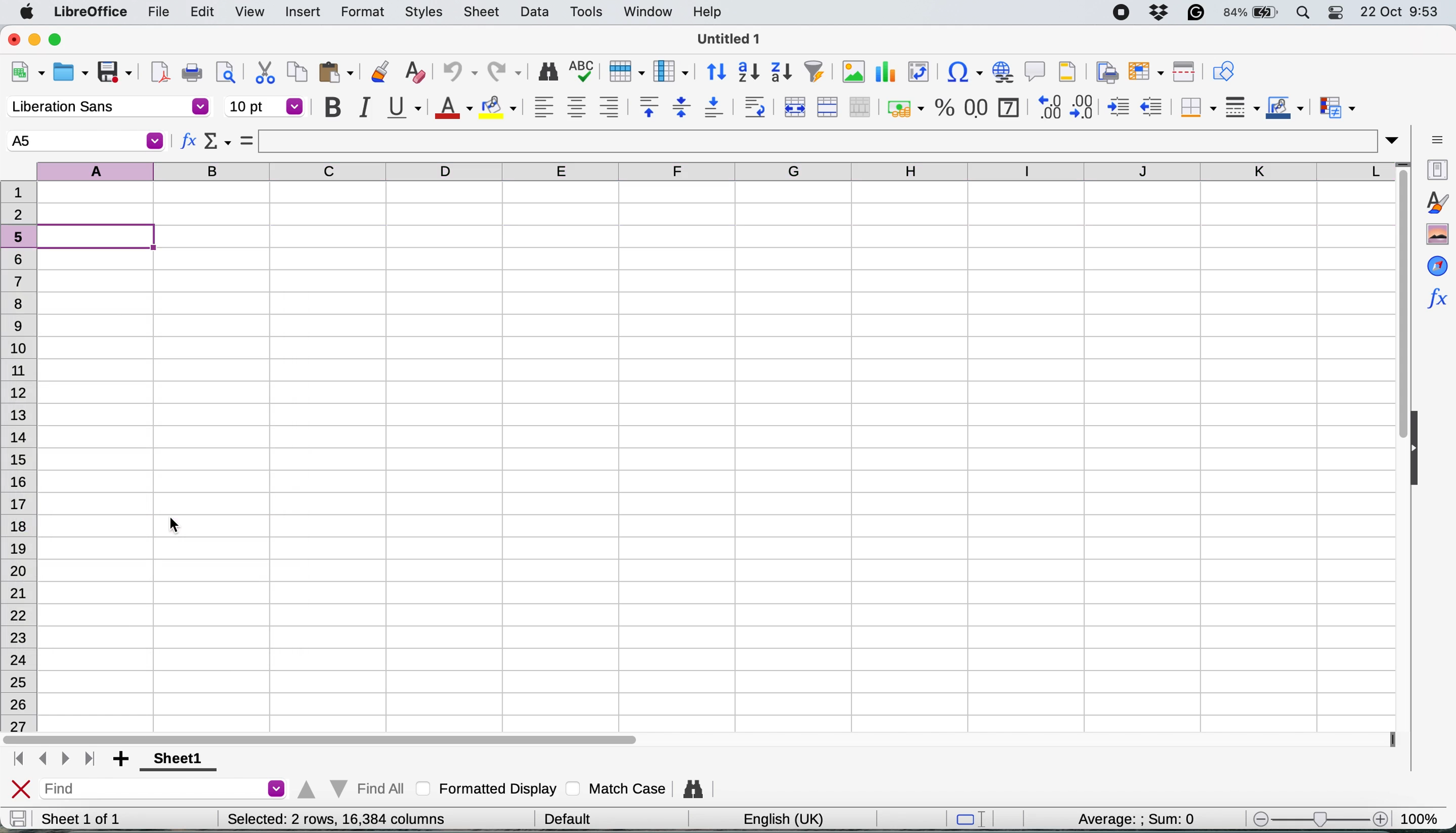 The width and height of the screenshot is (1456, 833). What do you see at coordinates (1437, 265) in the screenshot?
I see `navigator` at bounding box center [1437, 265].